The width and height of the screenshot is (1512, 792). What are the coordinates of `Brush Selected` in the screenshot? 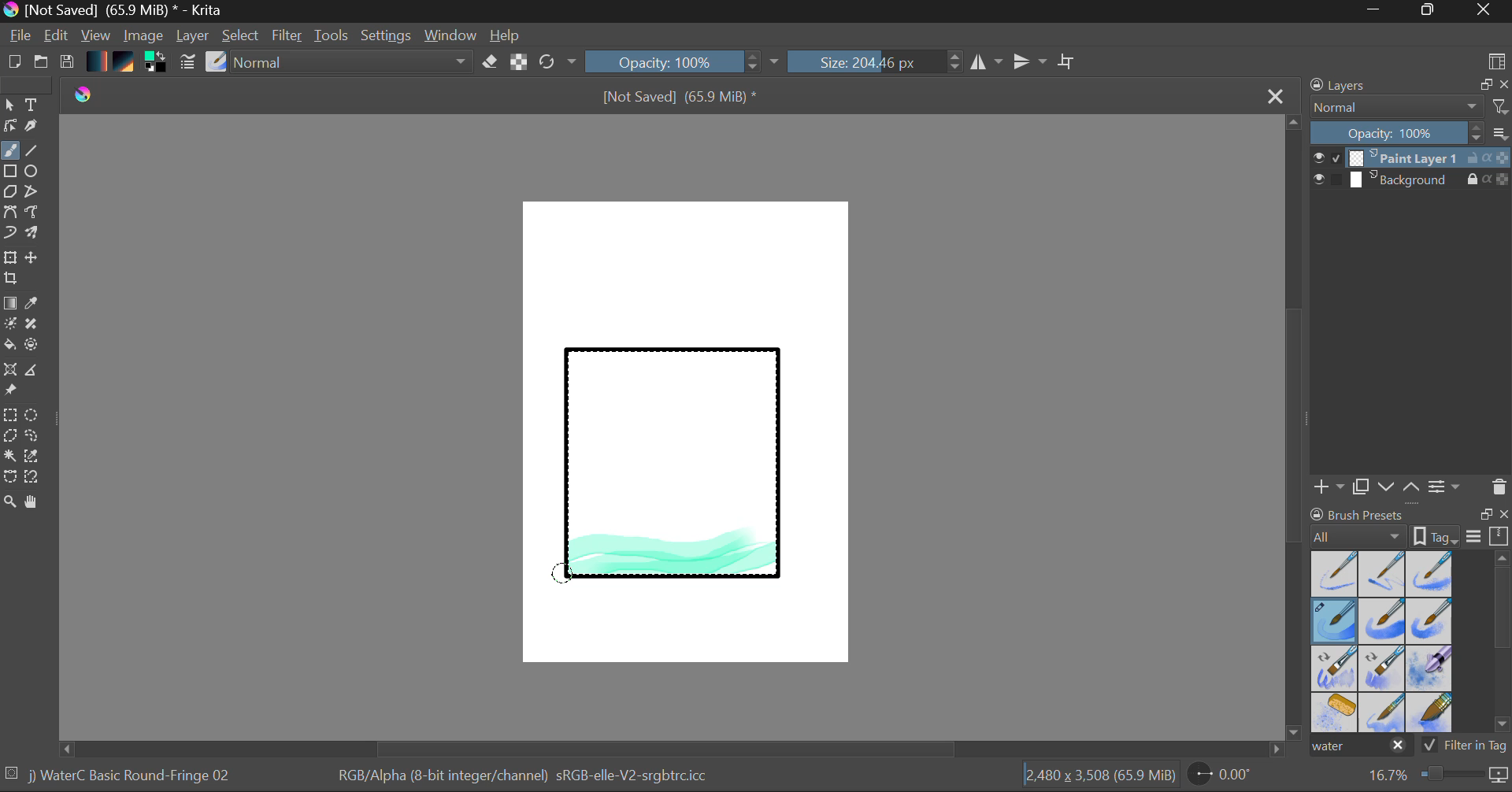 It's located at (1336, 622).